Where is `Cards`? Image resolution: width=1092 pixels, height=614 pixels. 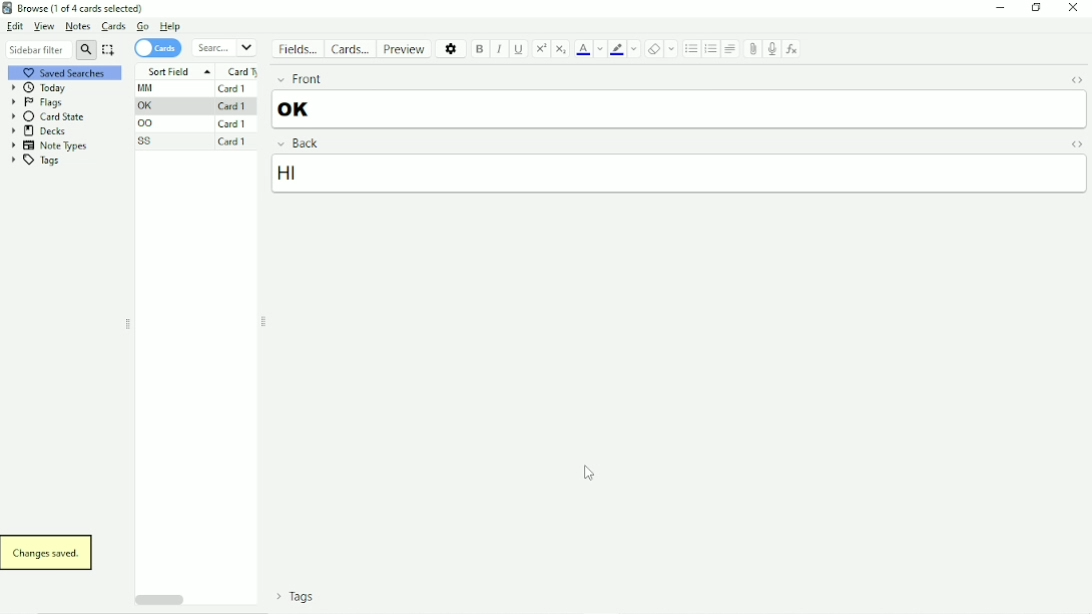 Cards is located at coordinates (352, 49).